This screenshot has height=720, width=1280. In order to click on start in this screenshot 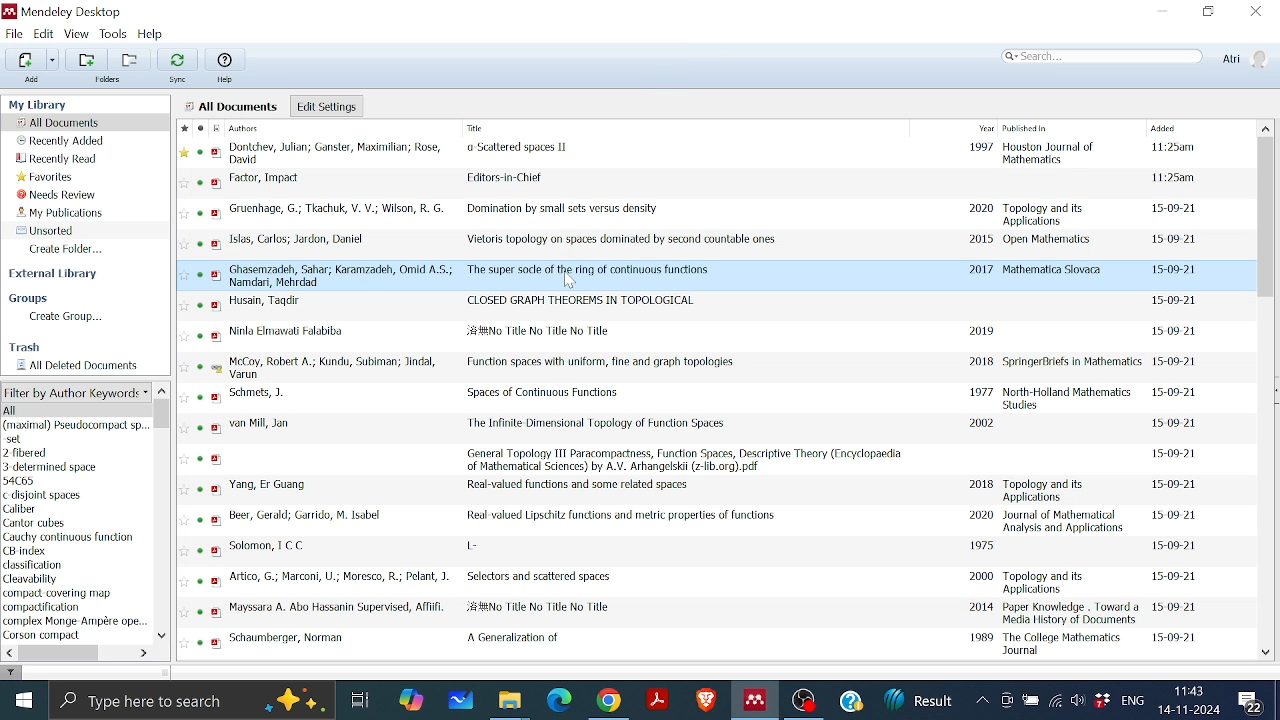, I will do `click(22, 698)`.